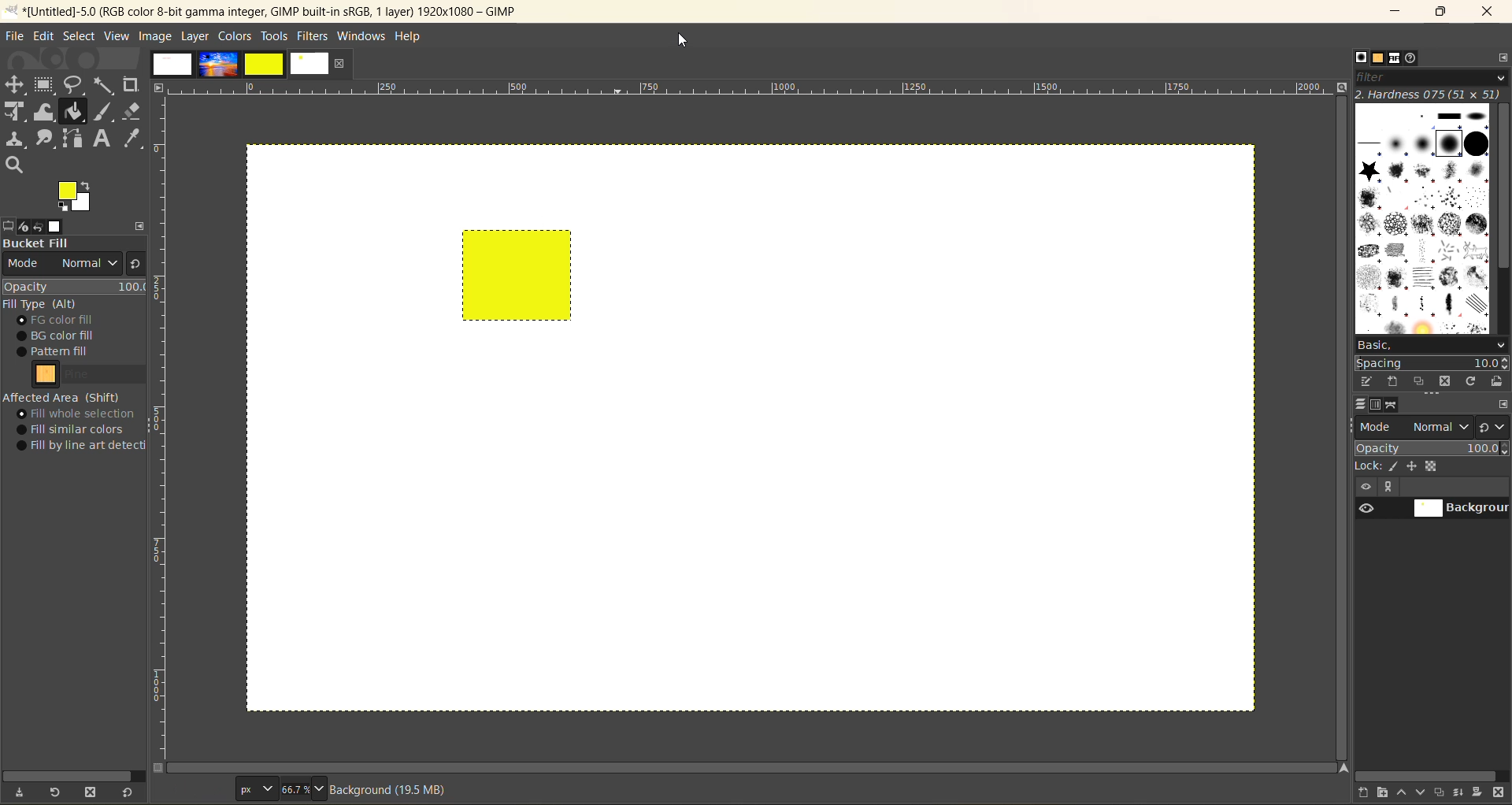 The width and height of the screenshot is (1512, 805). Describe the element at coordinates (1394, 406) in the screenshot. I see `paths` at that location.